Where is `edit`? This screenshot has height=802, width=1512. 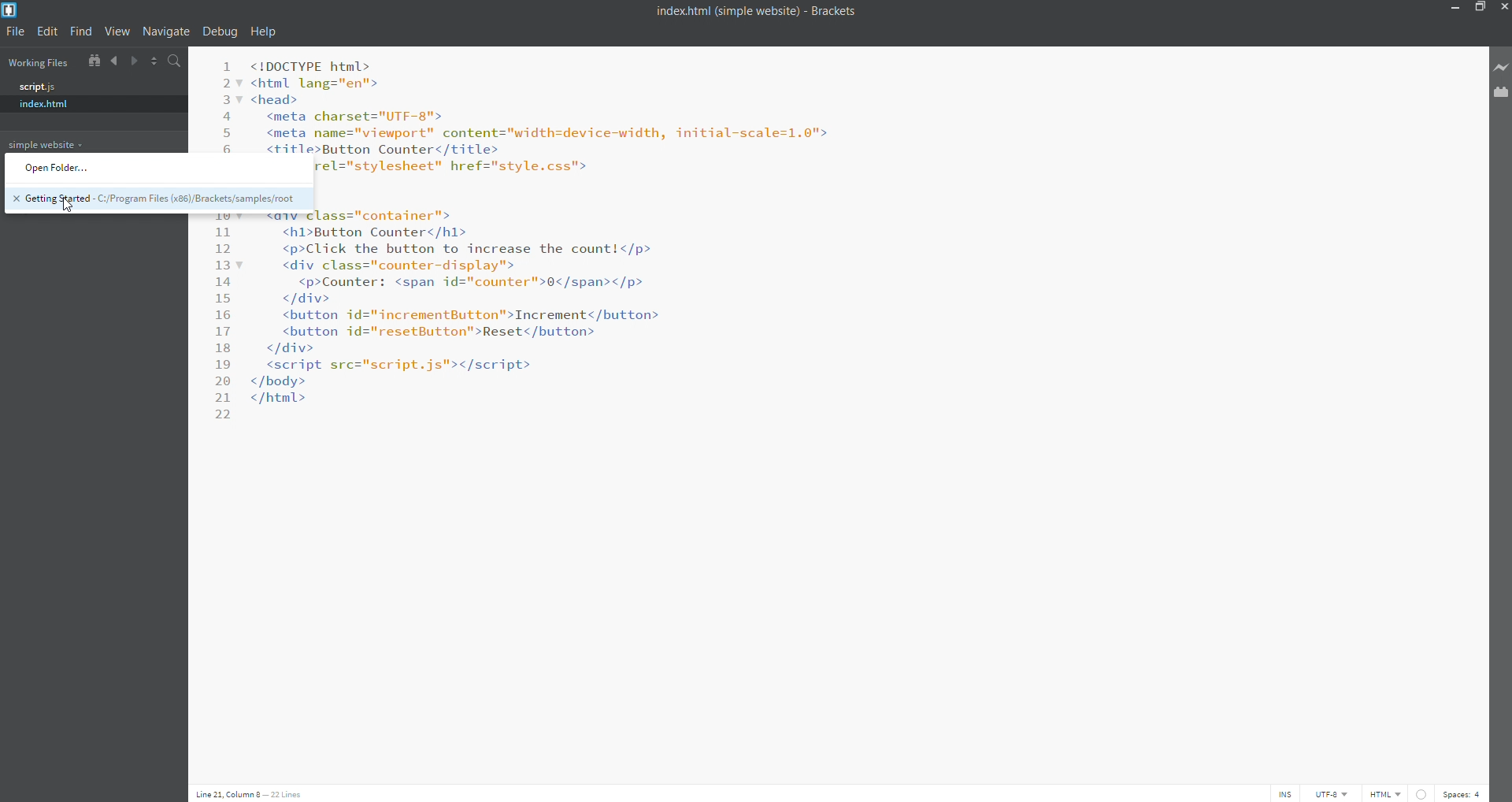 edit is located at coordinates (50, 31).